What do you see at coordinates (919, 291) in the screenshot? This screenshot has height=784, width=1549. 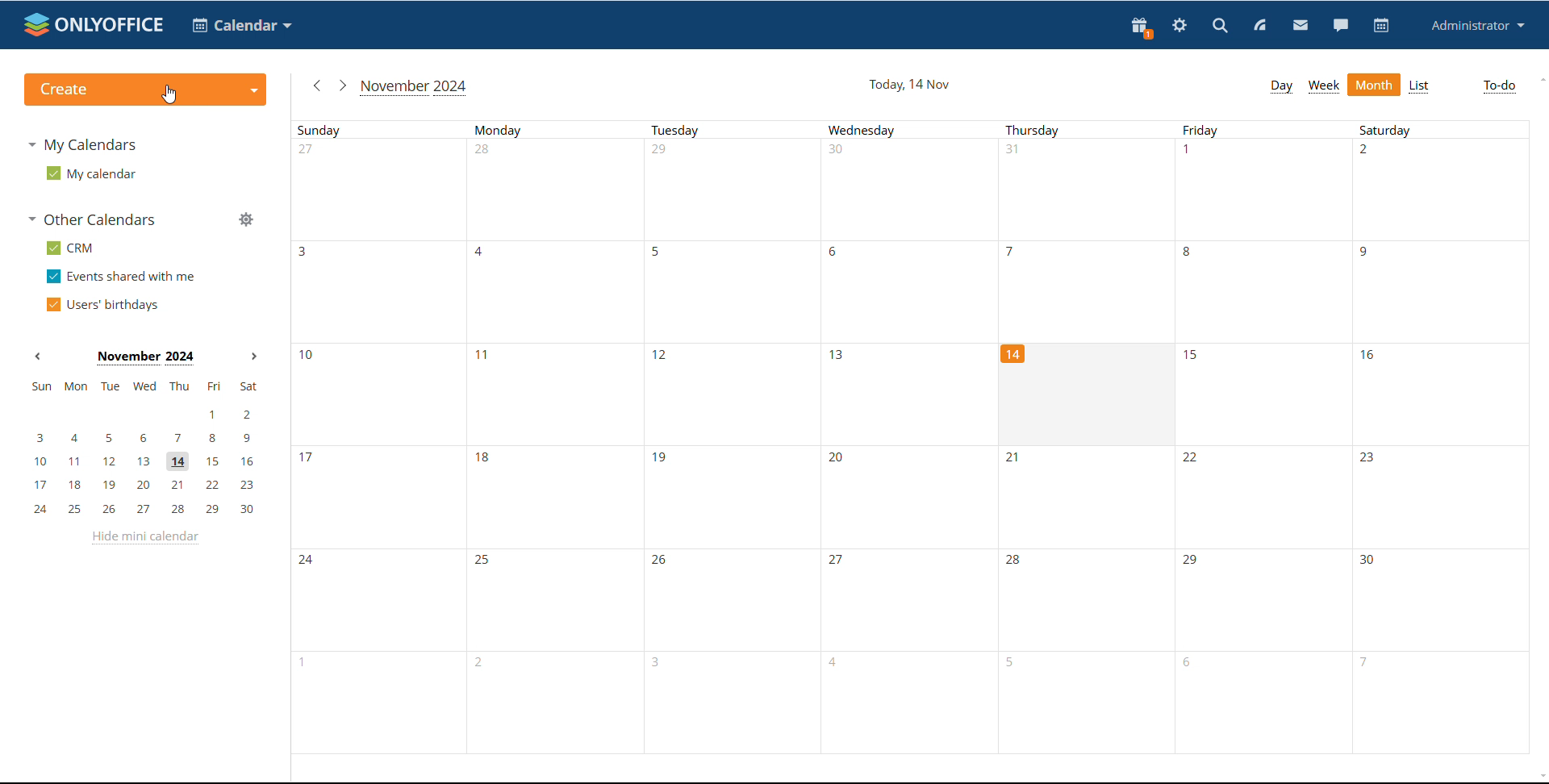 I see `Different dates of the month` at bounding box center [919, 291].